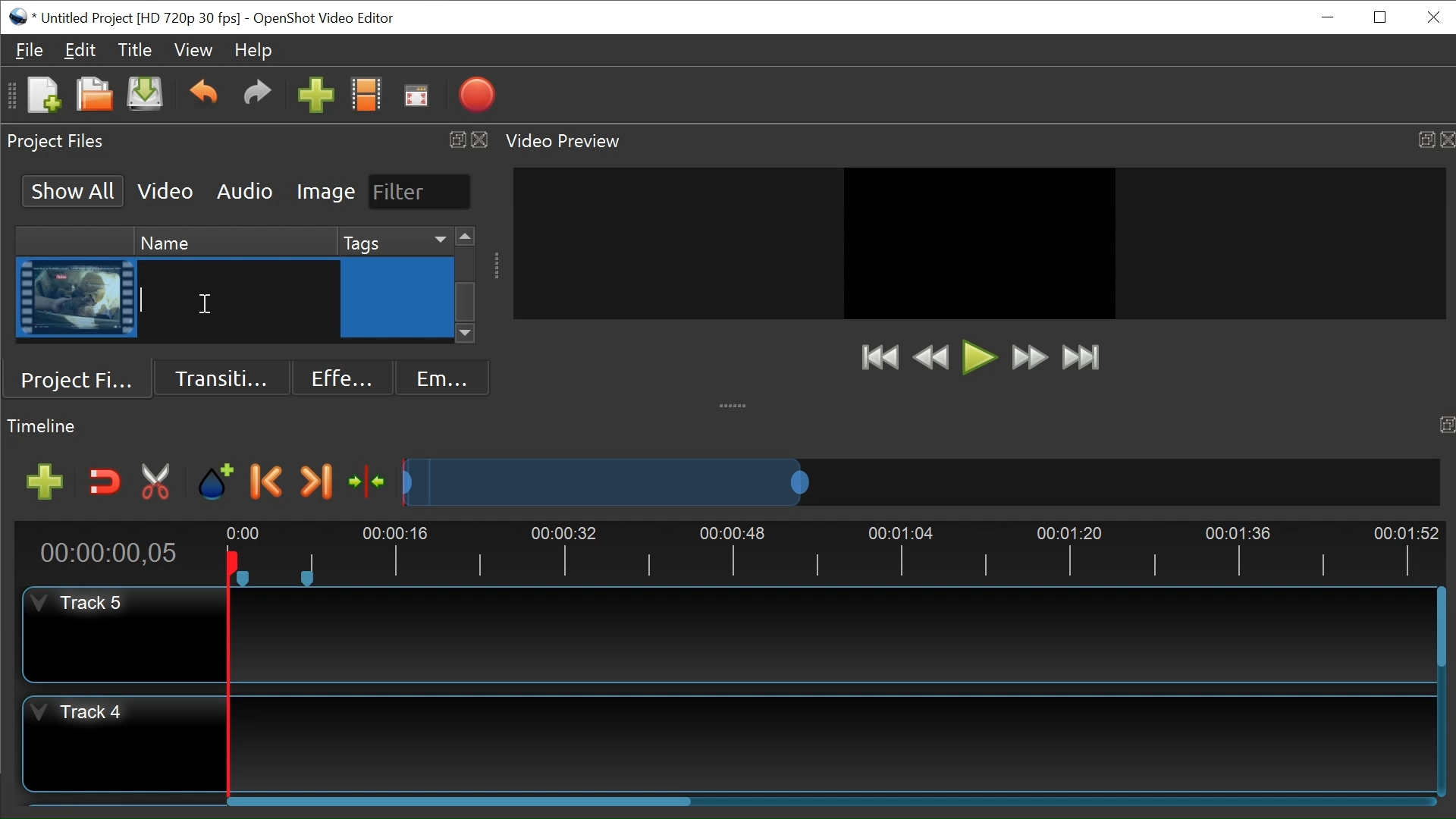 This screenshot has height=819, width=1456. I want to click on Open Project, so click(90, 94).